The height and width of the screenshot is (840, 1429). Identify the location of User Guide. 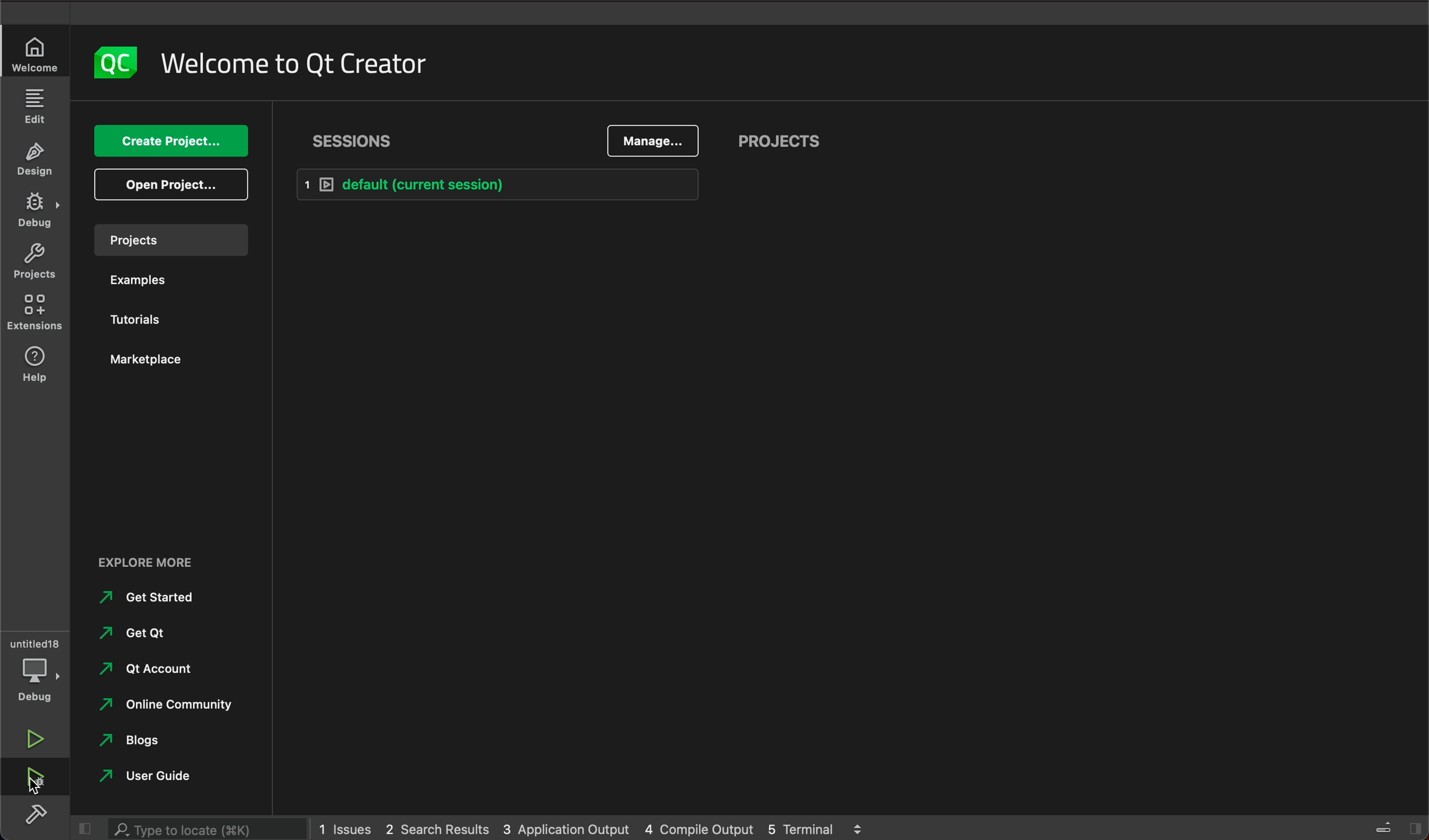
(144, 773).